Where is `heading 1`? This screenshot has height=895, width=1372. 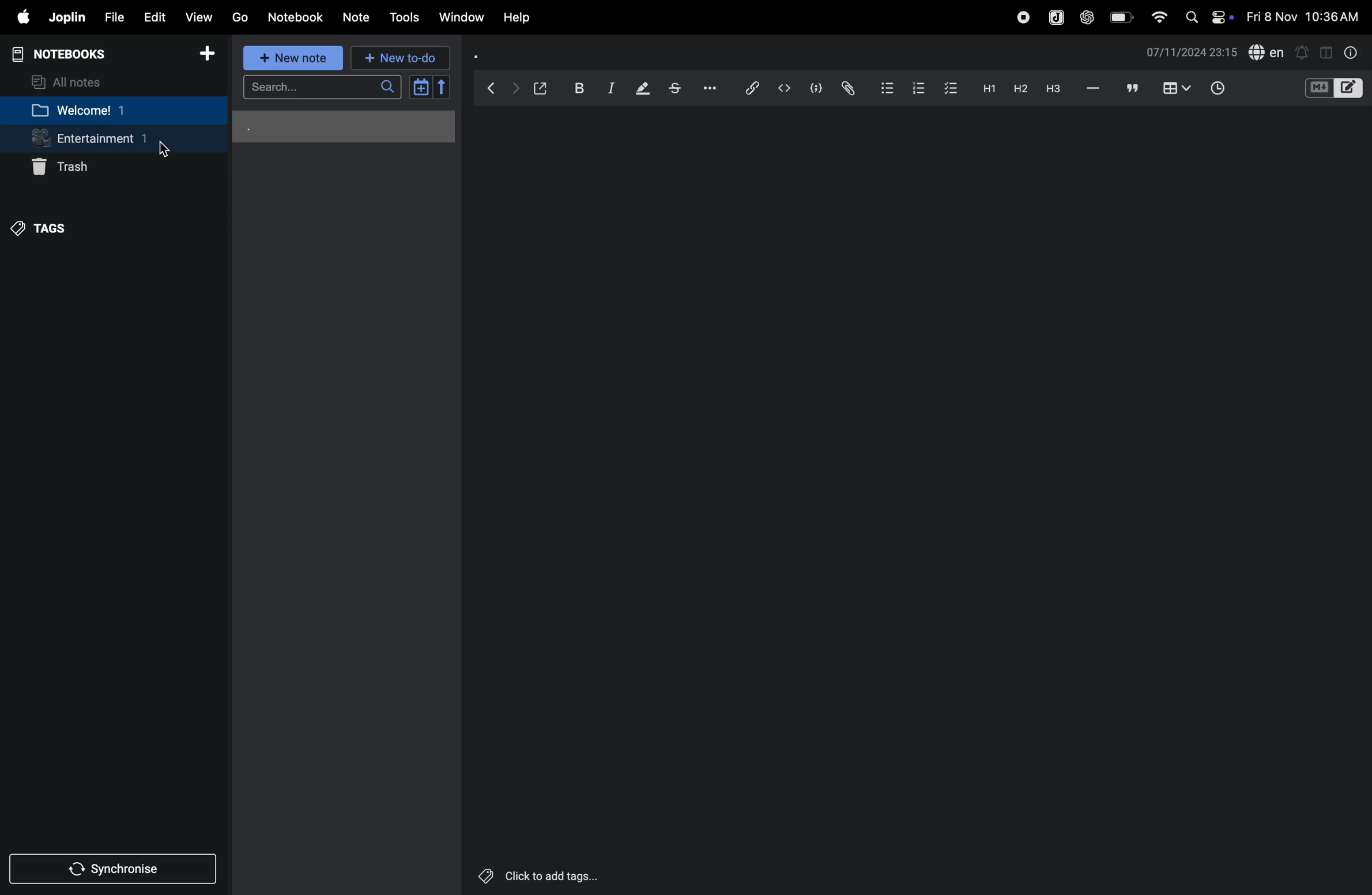 heading 1 is located at coordinates (986, 88).